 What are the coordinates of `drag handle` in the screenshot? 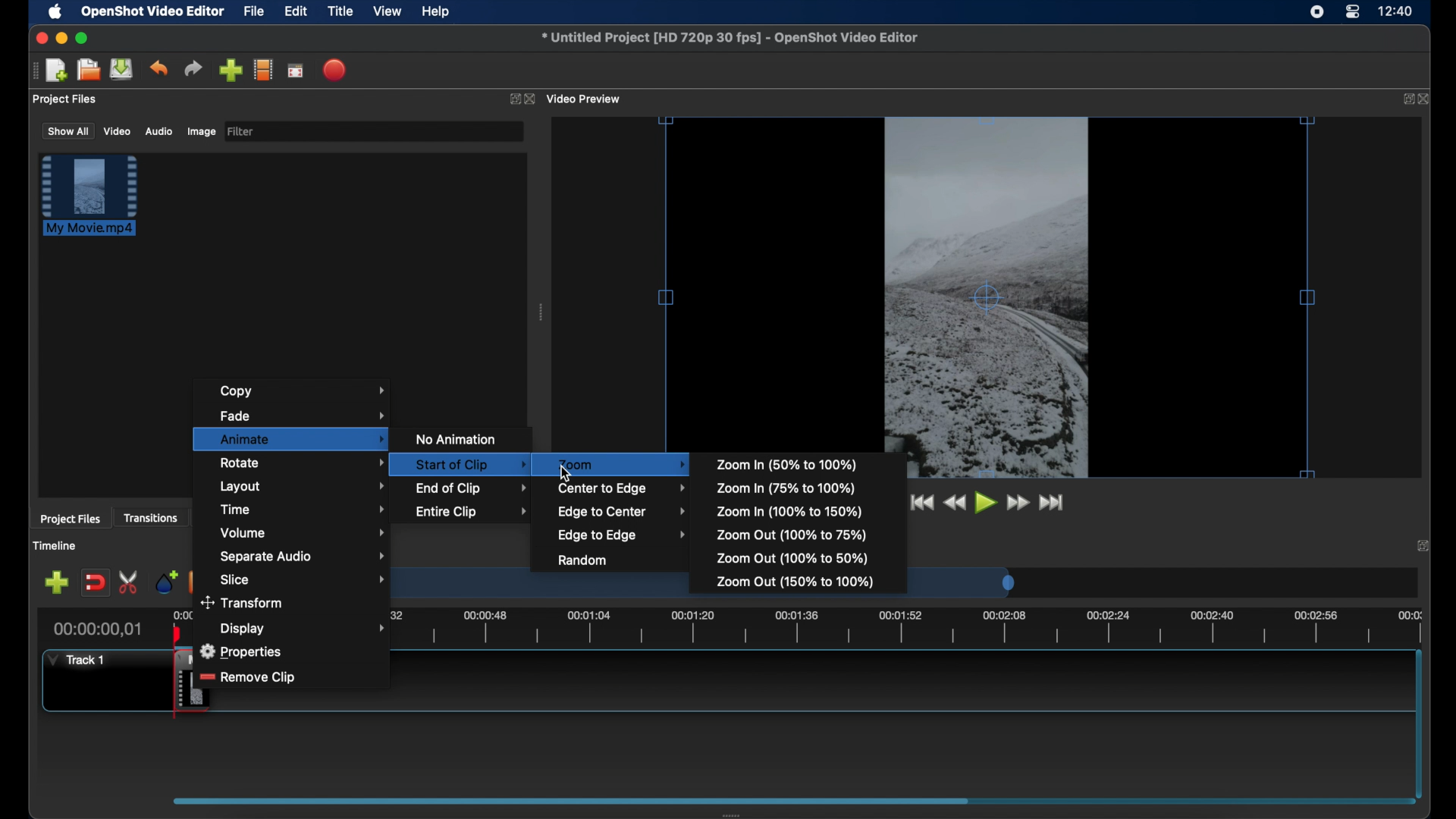 It's located at (33, 71).